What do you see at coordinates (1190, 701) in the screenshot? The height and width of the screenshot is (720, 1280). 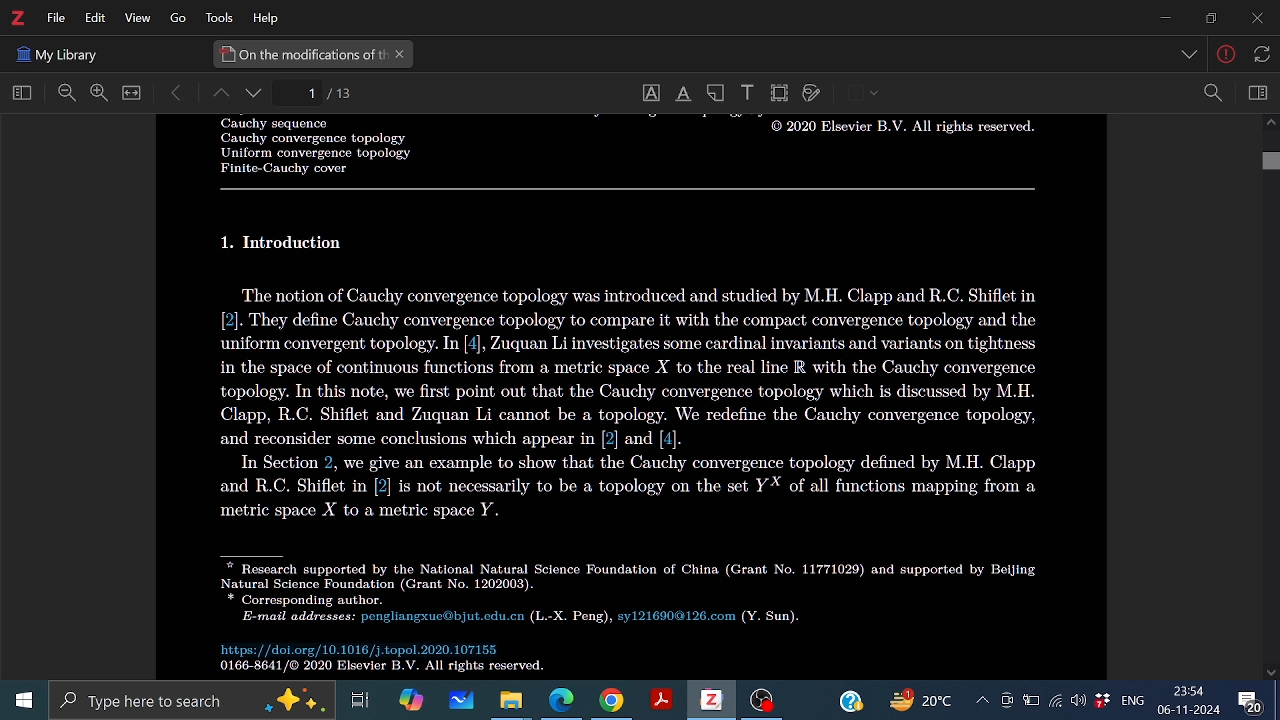 I see `Time and date` at bounding box center [1190, 701].